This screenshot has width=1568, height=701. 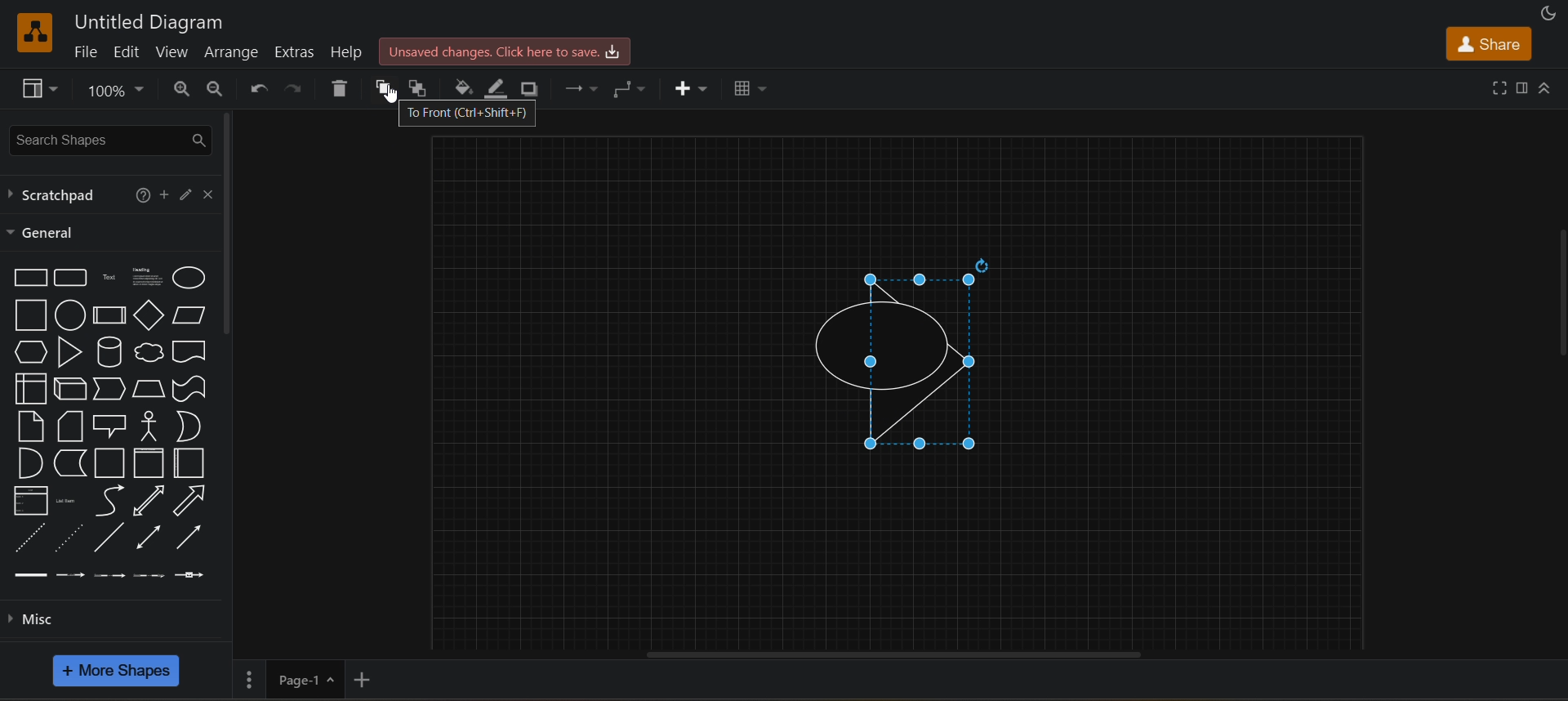 I want to click on directional connector, so click(x=189, y=537).